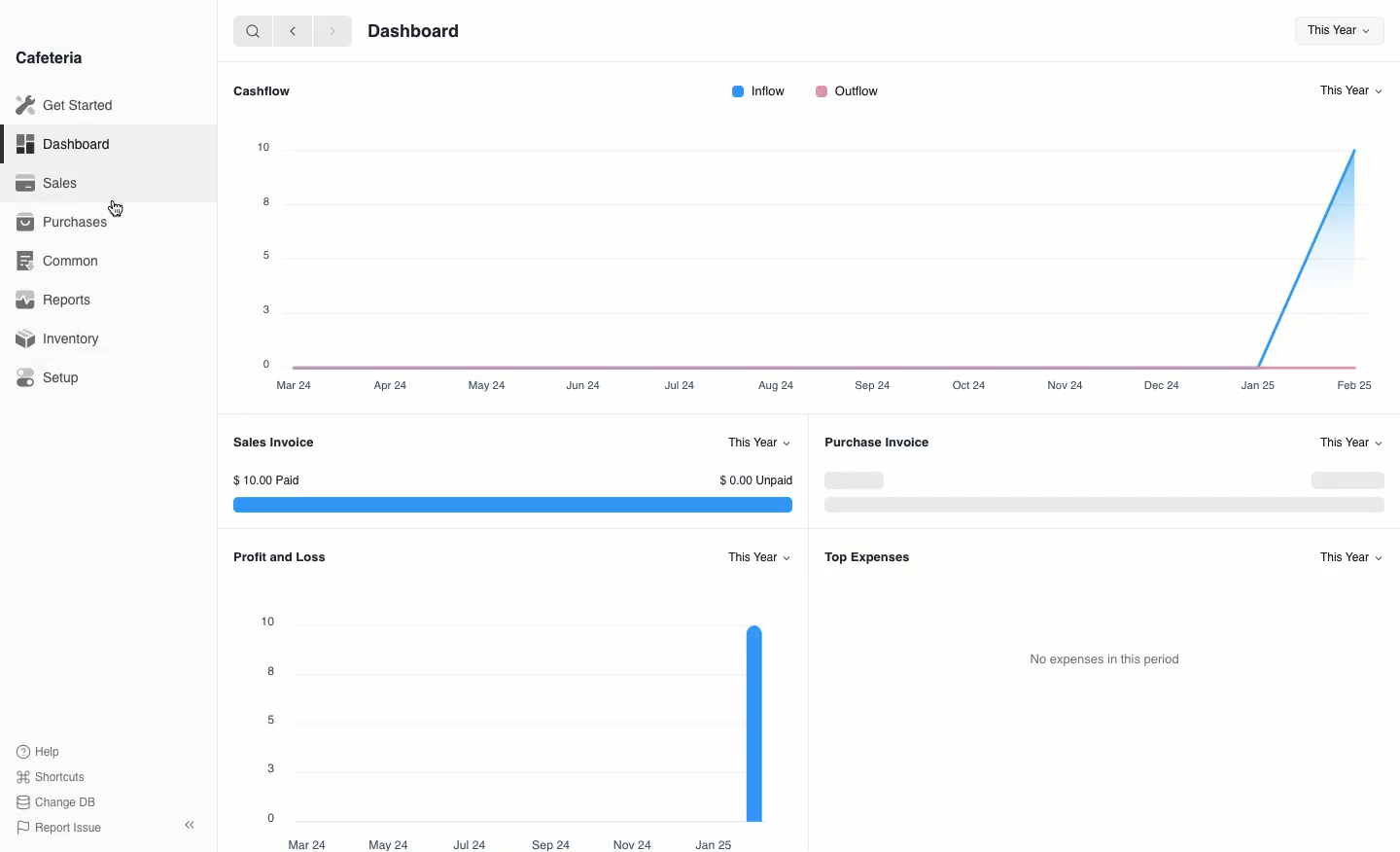 The width and height of the screenshot is (1400, 852). I want to click on “This Year, so click(1351, 442).